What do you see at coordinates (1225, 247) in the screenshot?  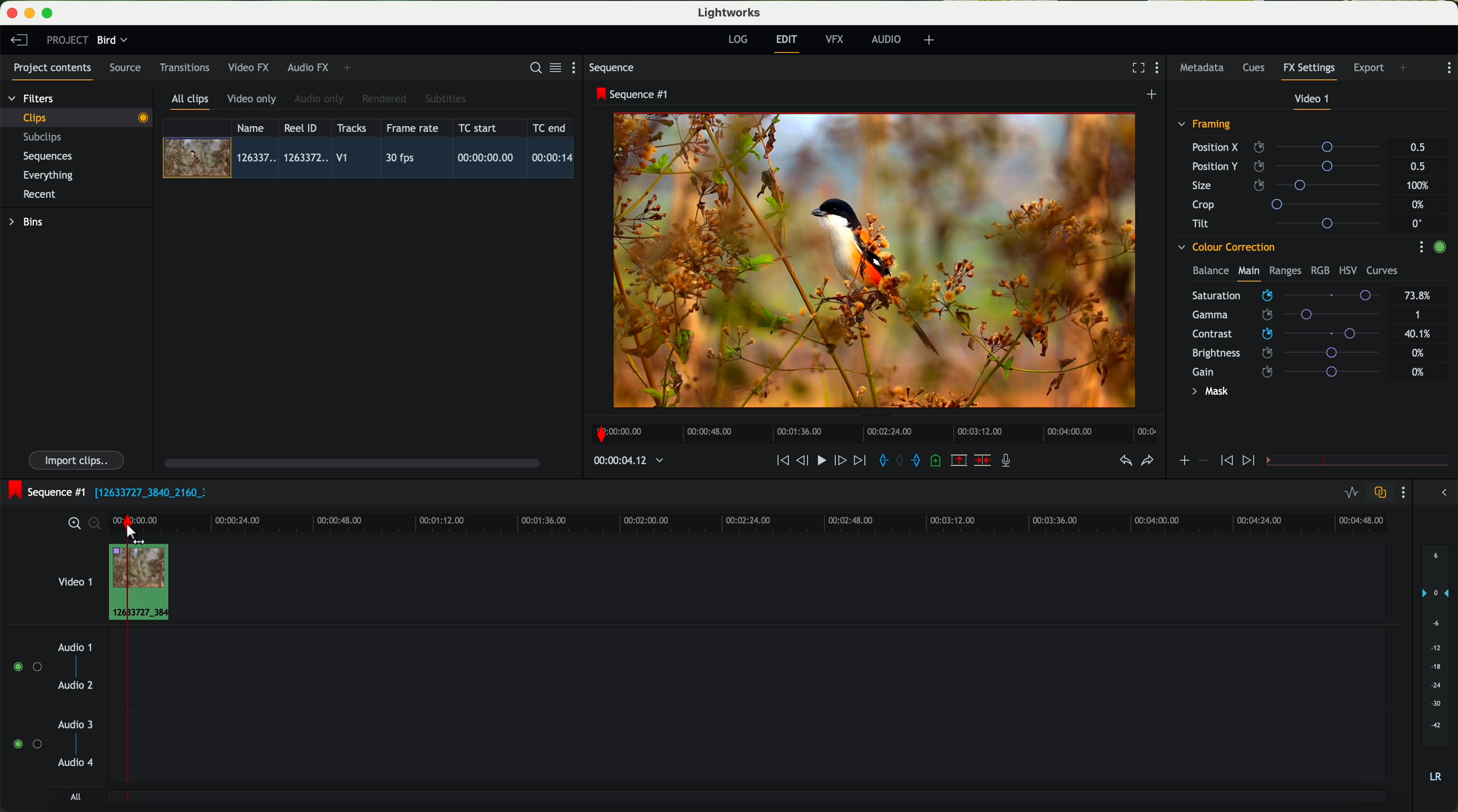 I see `colour correction` at bounding box center [1225, 247].